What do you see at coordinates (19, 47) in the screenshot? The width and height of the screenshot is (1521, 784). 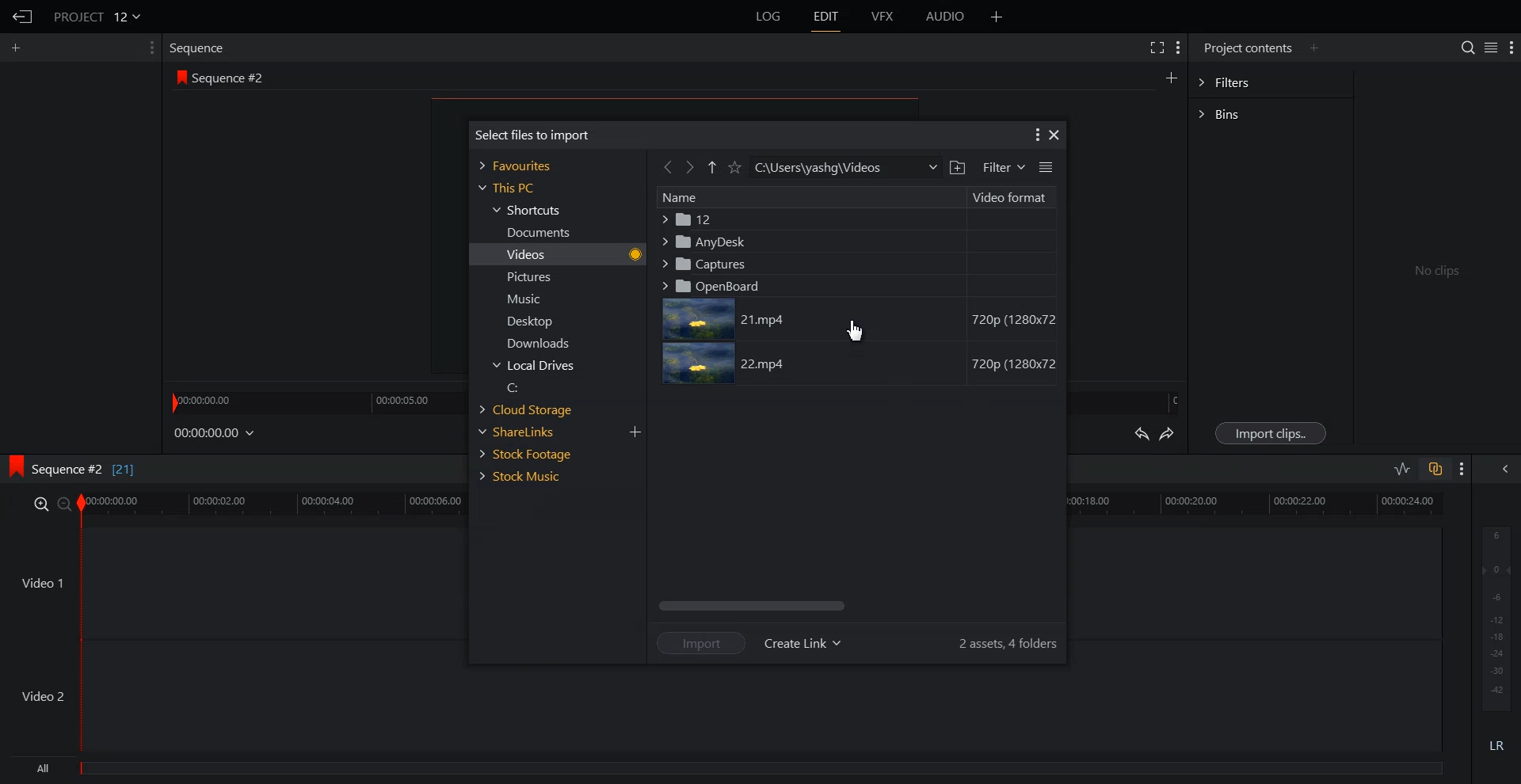 I see `Add Panel` at bounding box center [19, 47].